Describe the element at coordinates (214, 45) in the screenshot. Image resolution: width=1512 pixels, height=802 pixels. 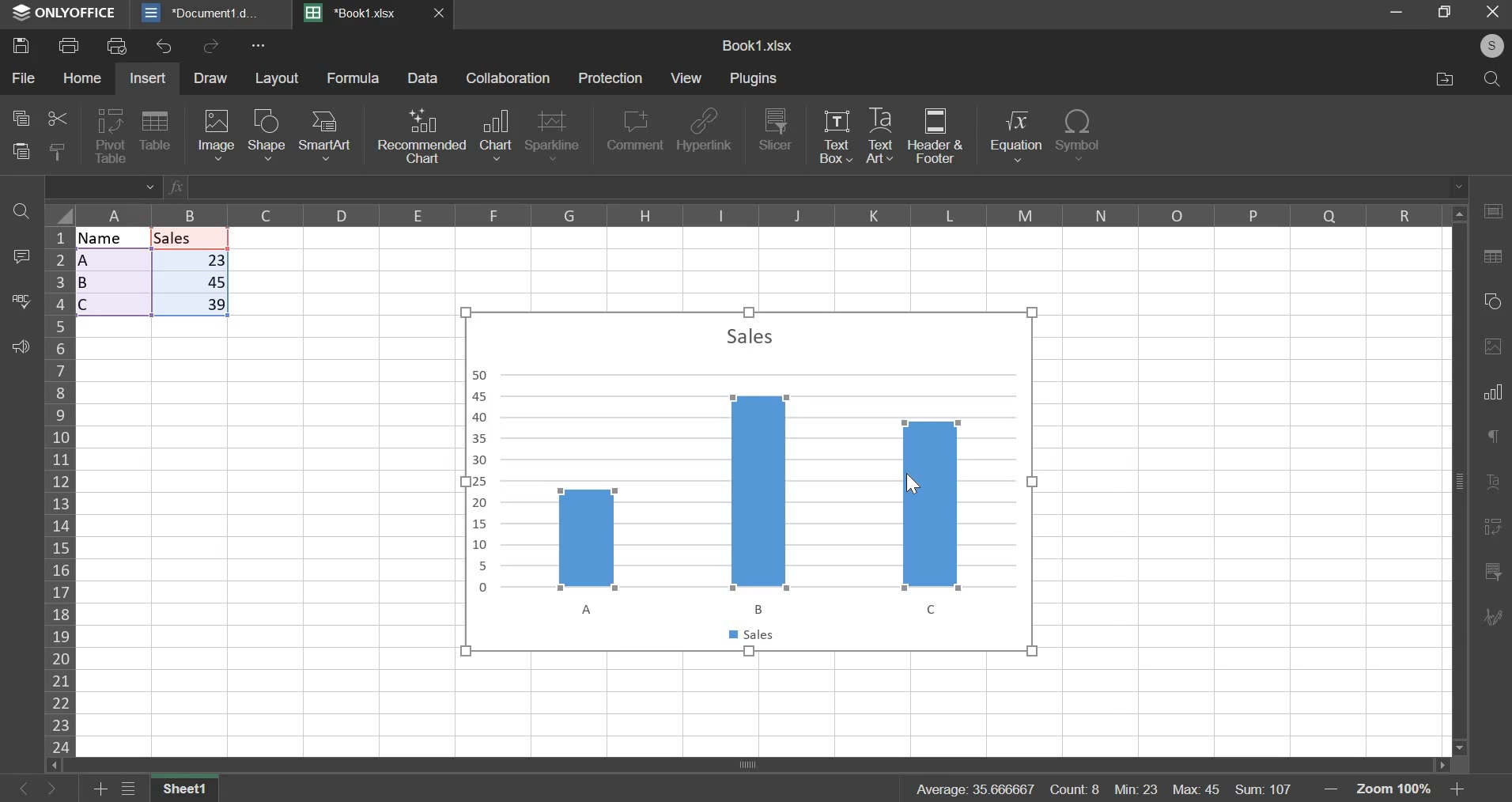
I see `redo` at that location.